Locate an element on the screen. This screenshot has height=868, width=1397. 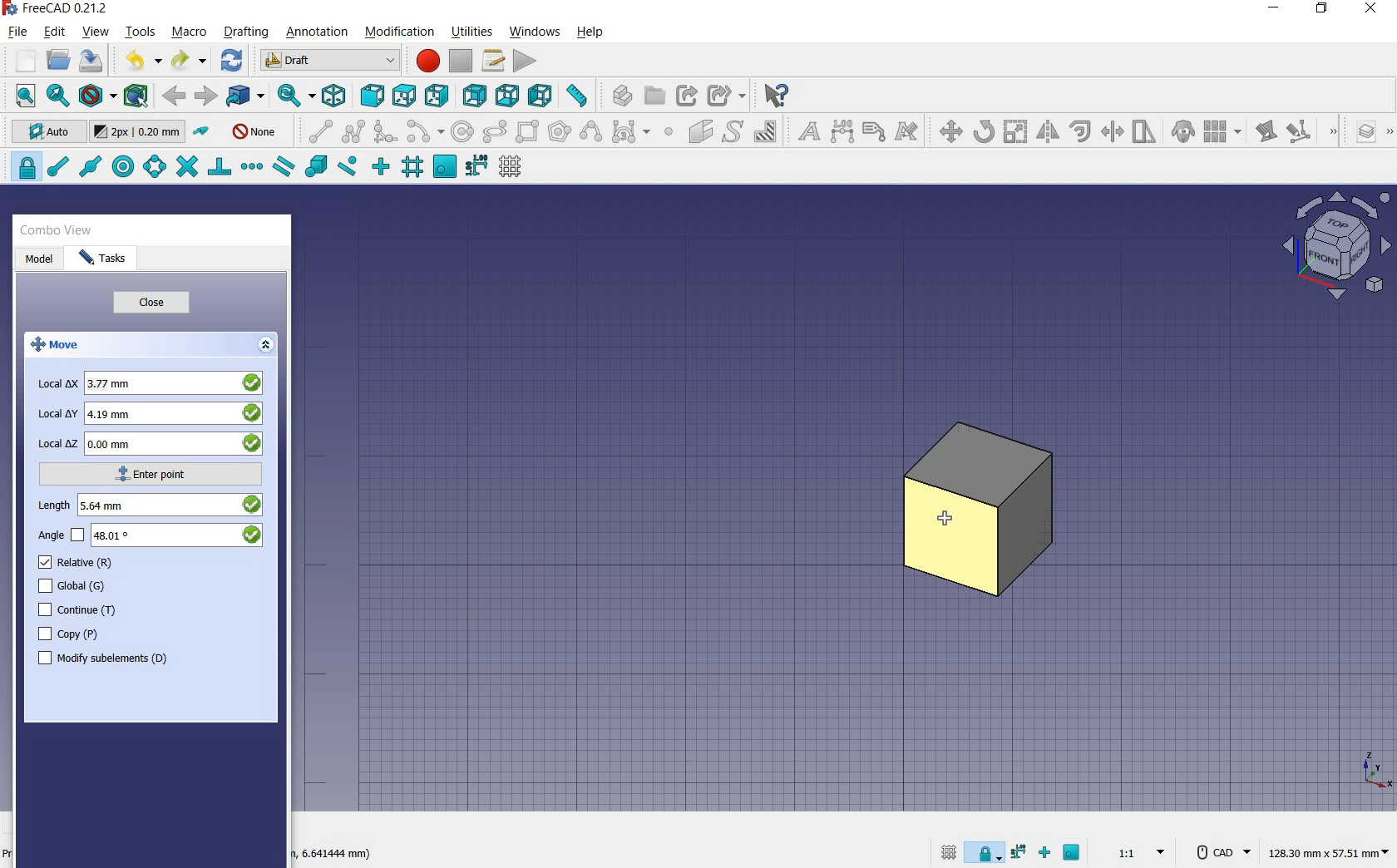
snap special is located at coordinates (316, 166).